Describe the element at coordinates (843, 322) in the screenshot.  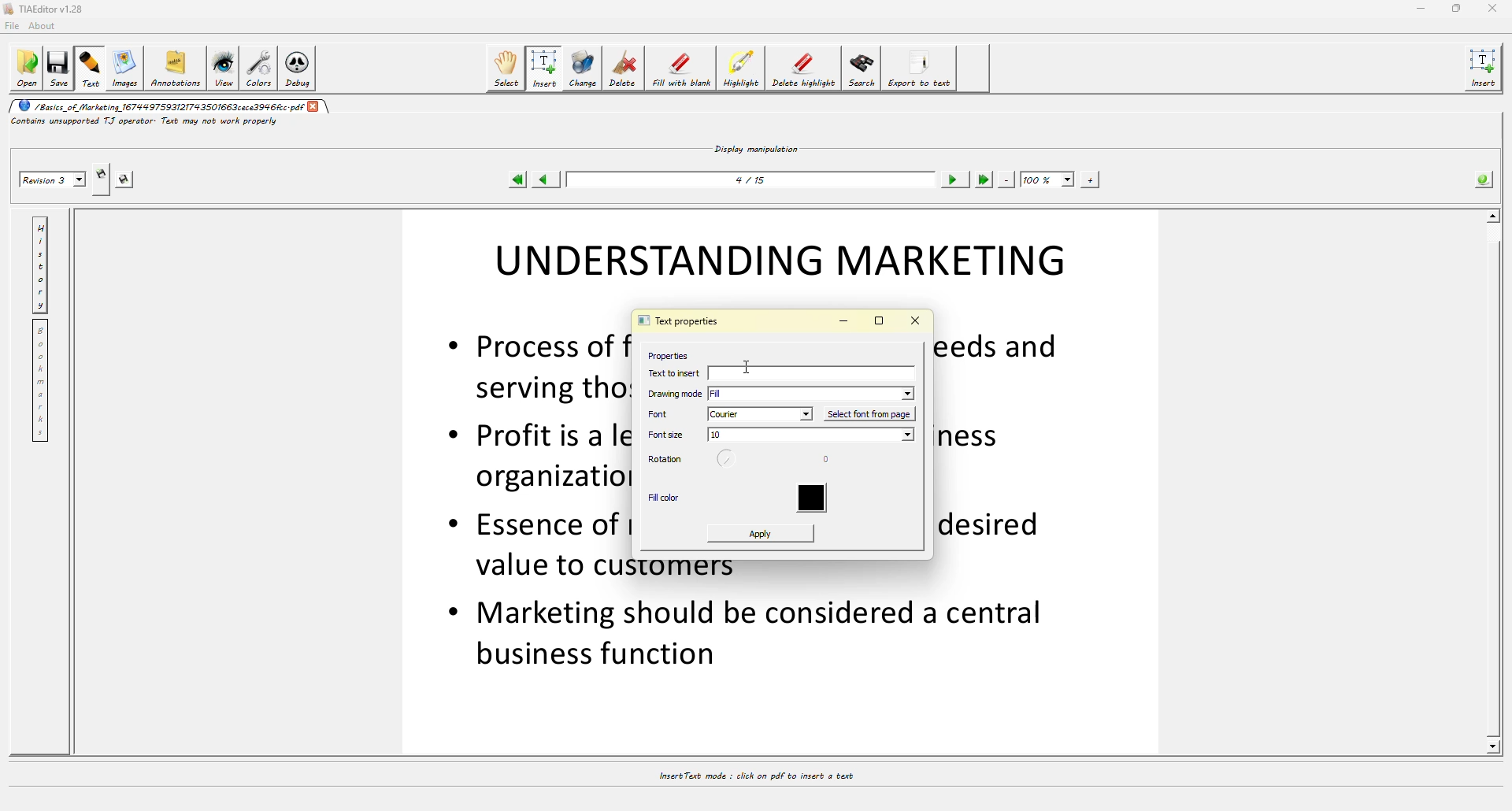
I see `minimize` at that location.